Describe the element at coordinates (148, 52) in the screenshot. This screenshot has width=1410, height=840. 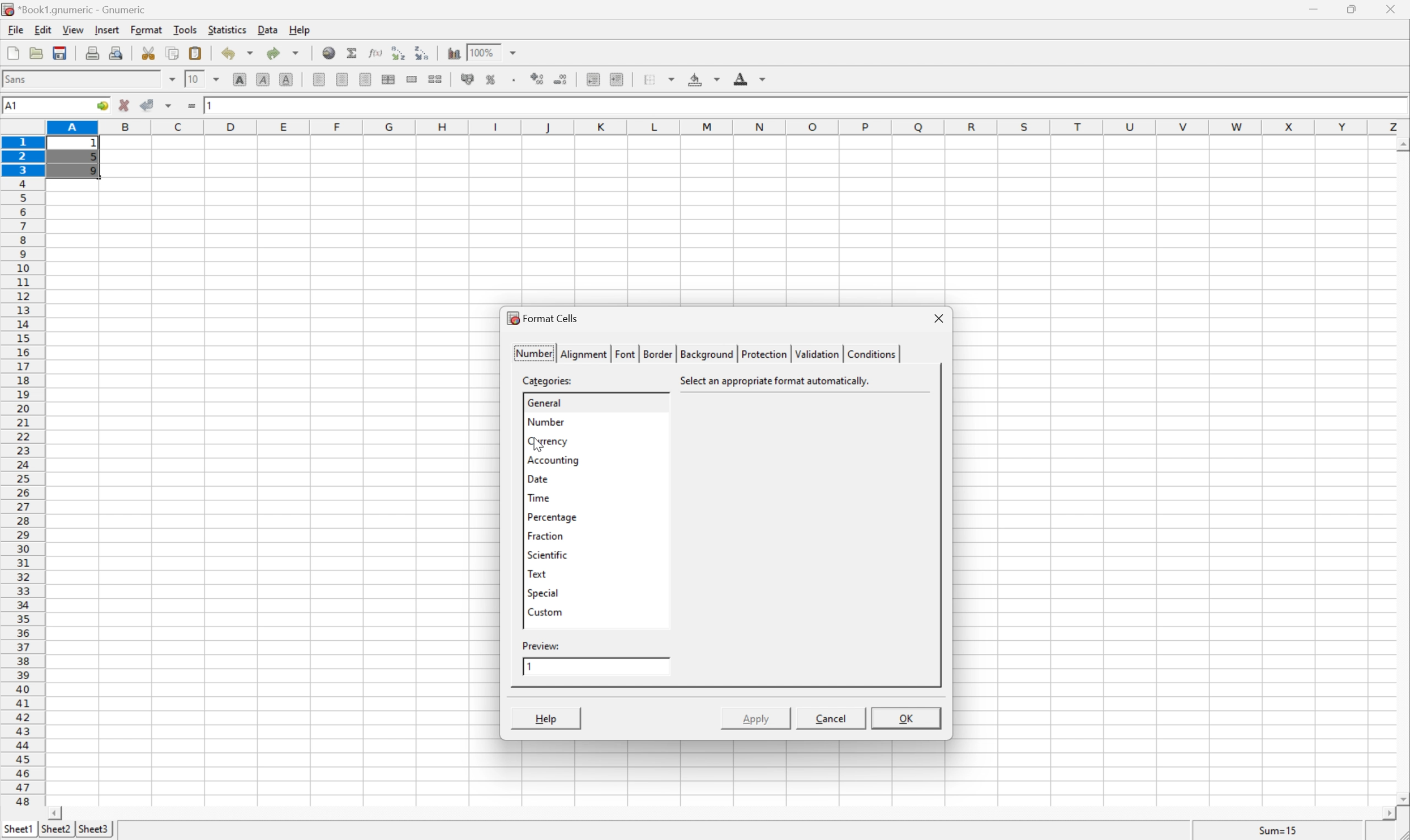
I see `cut` at that location.